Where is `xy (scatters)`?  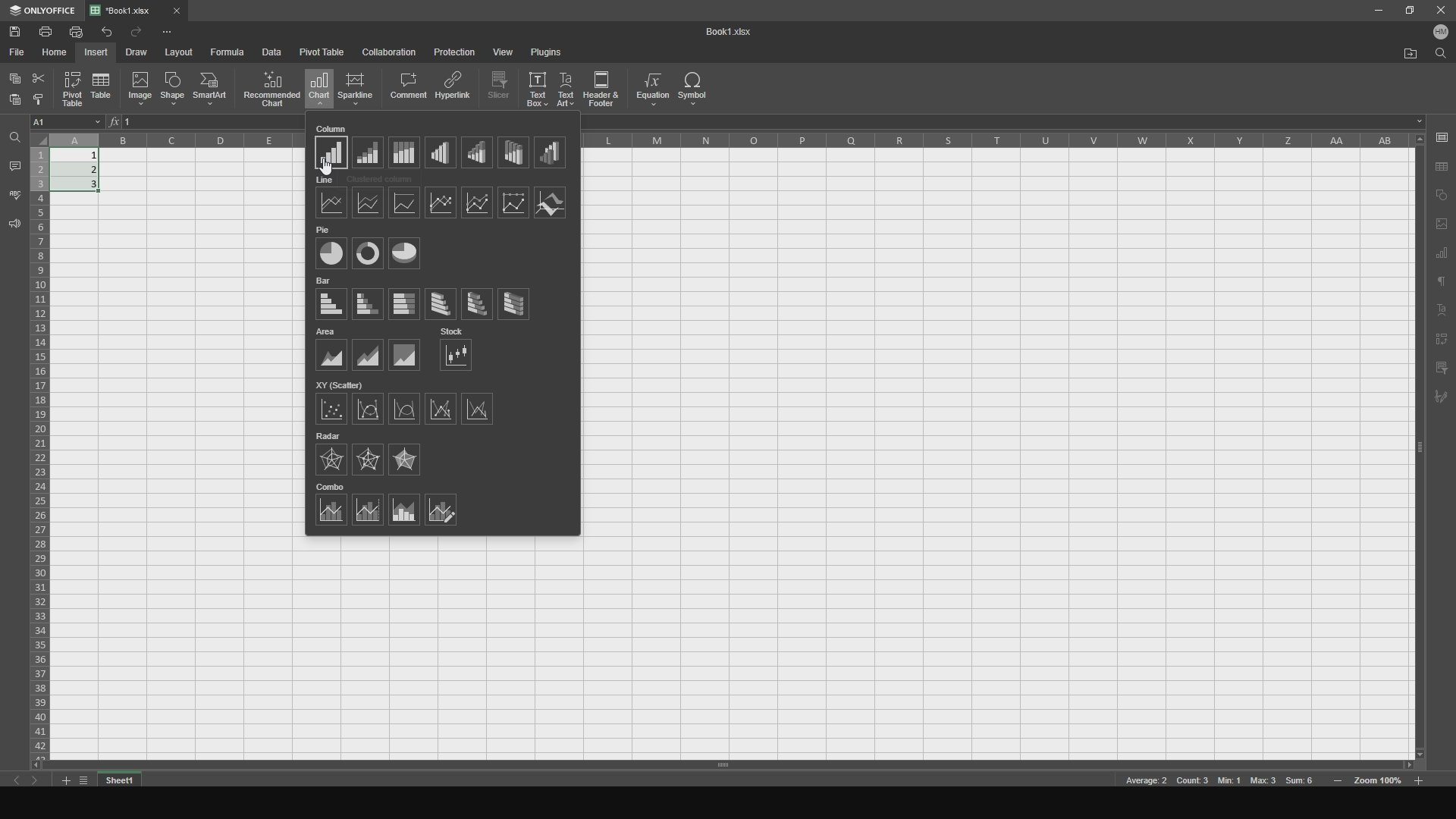
xy (scatters) is located at coordinates (414, 403).